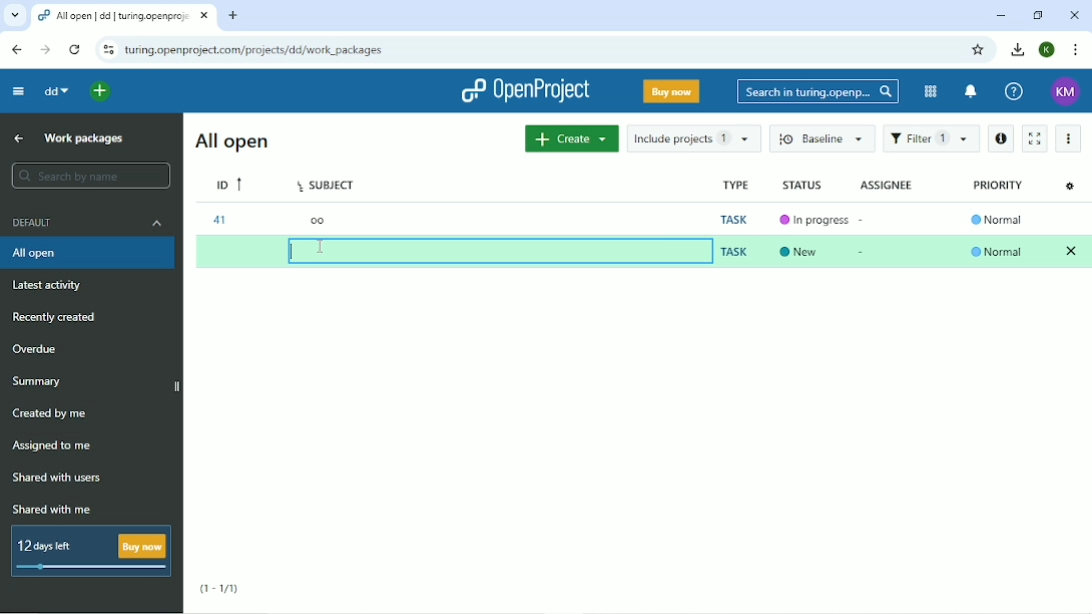 This screenshot has width=1092, height=614. Describe the element at coordinates (692, 139) in the screenshot. I see `Include projects 1` at that location.